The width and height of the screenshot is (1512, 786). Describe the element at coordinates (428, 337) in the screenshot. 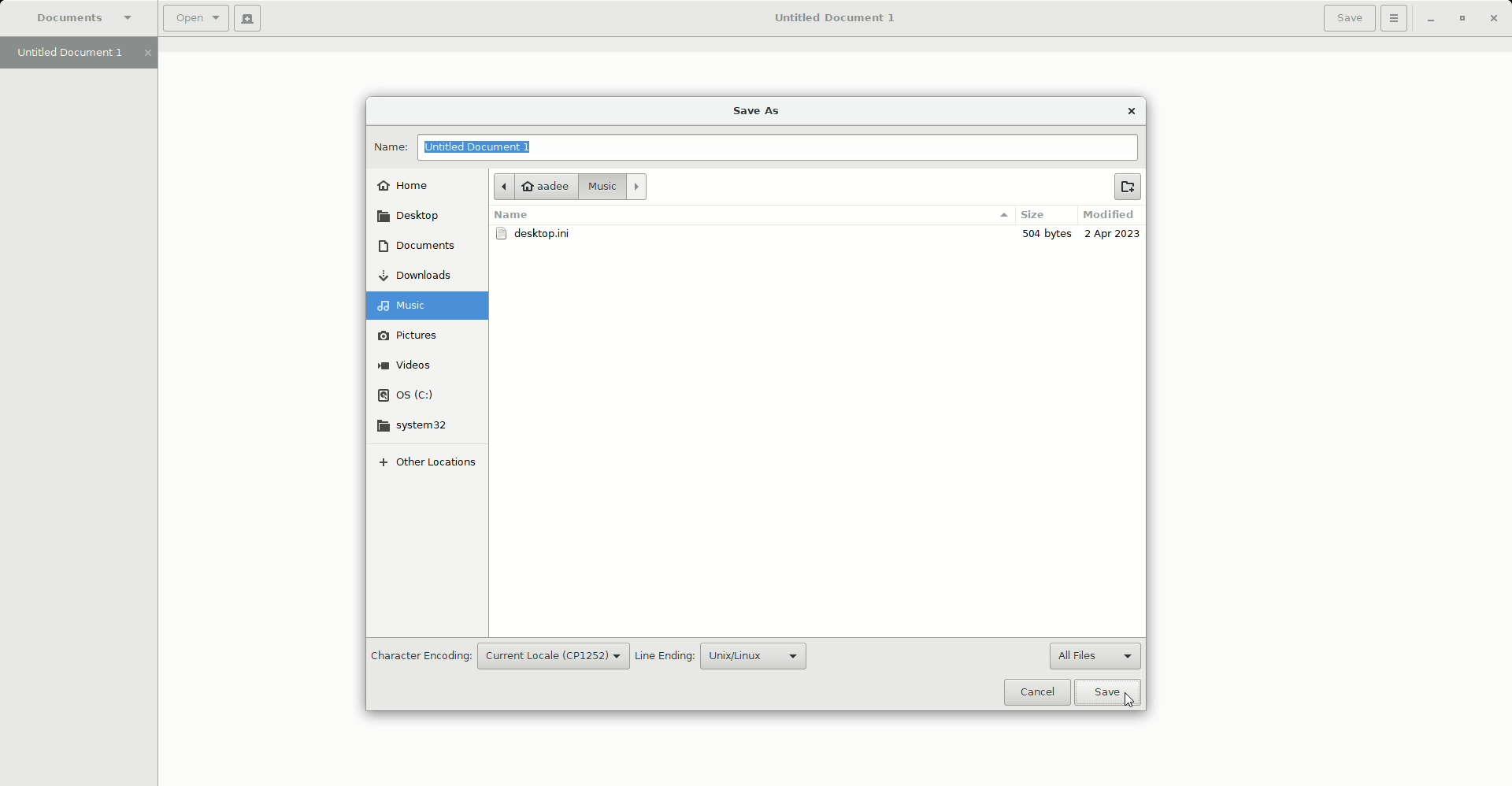

I see `Pictures` at that location.